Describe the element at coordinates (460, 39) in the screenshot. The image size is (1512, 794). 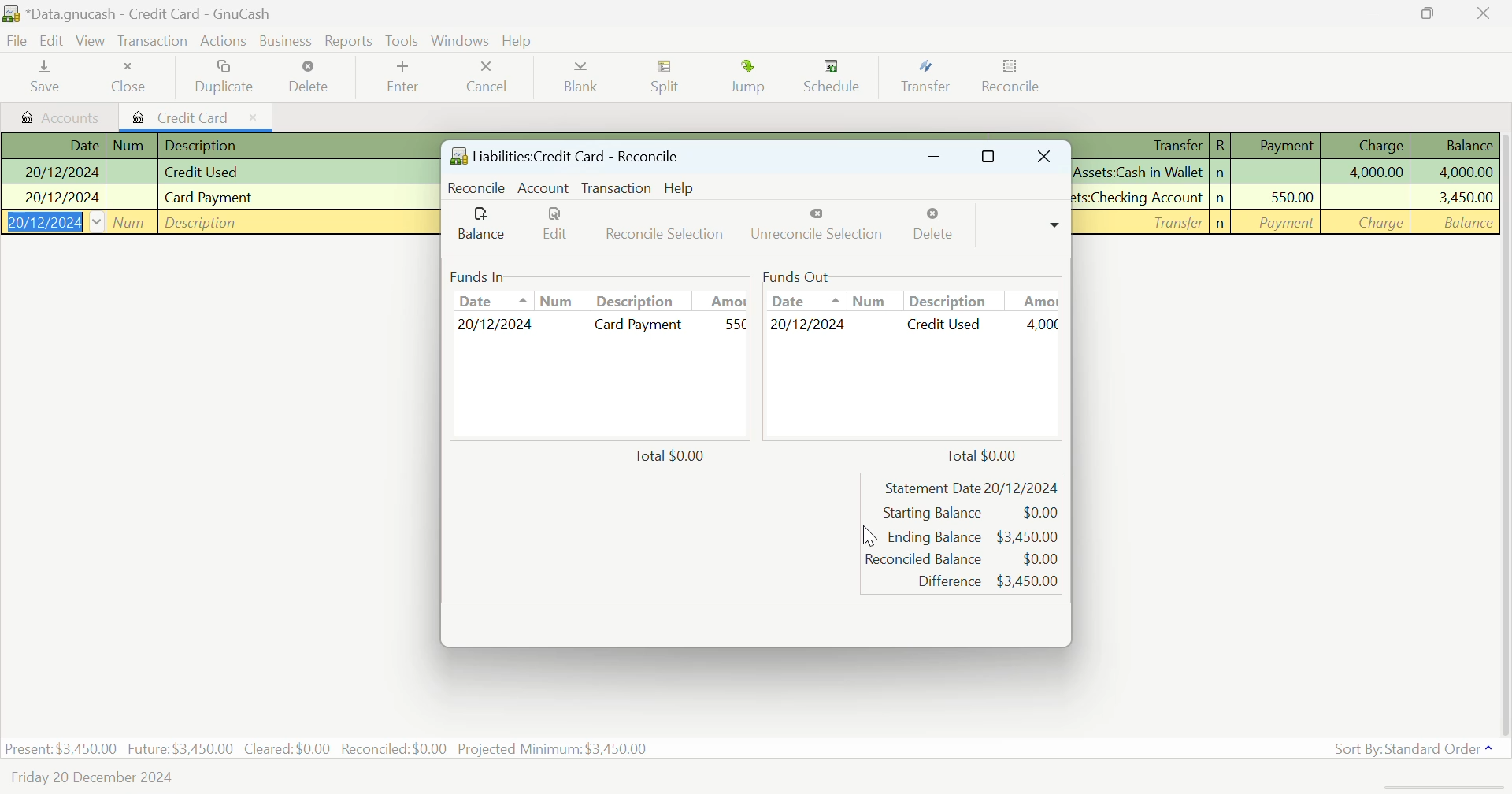
I see `Windows` at that location.